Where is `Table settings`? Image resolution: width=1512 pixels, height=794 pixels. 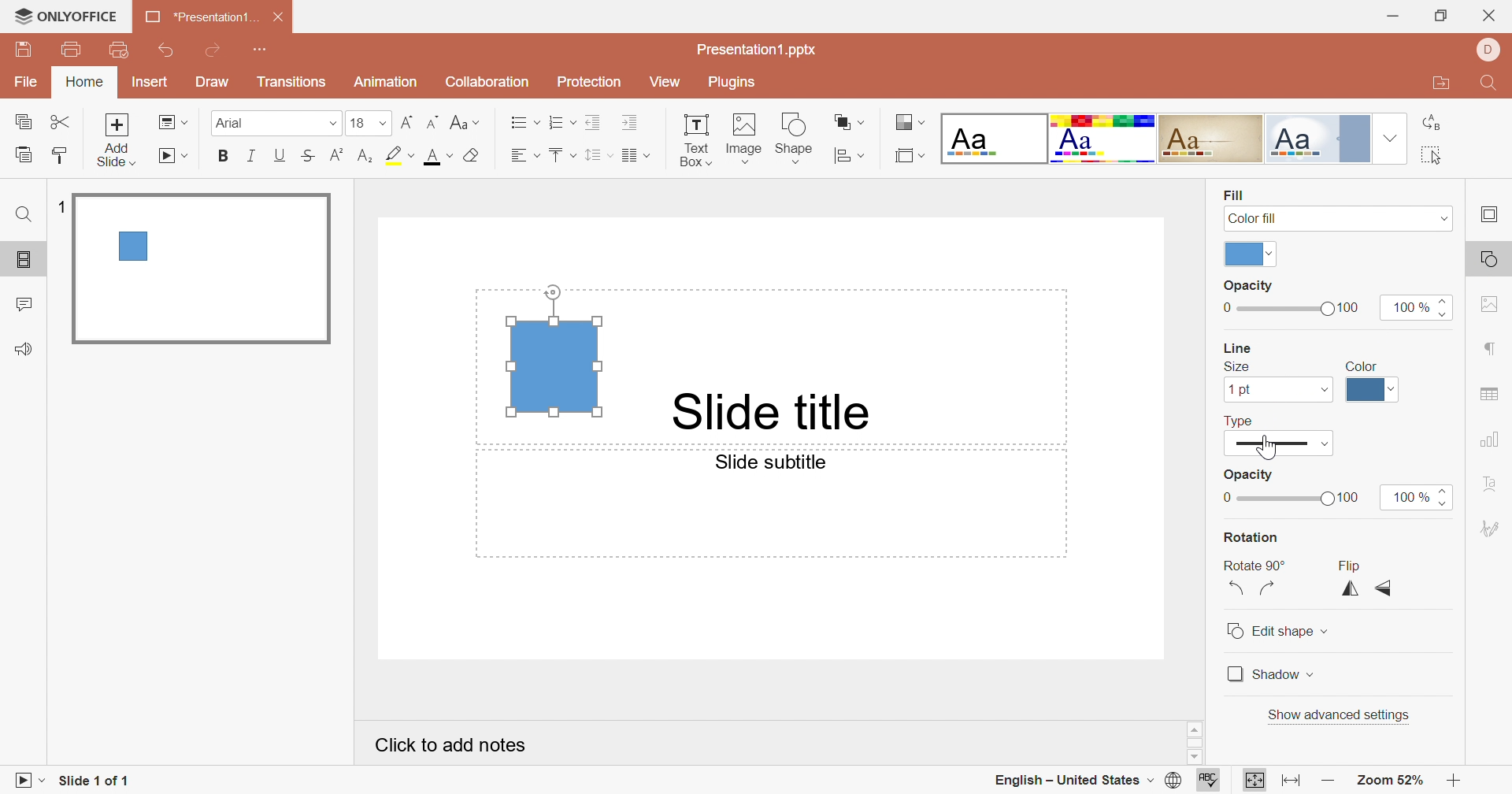
Table settings is located at coordinates (1490, 393).